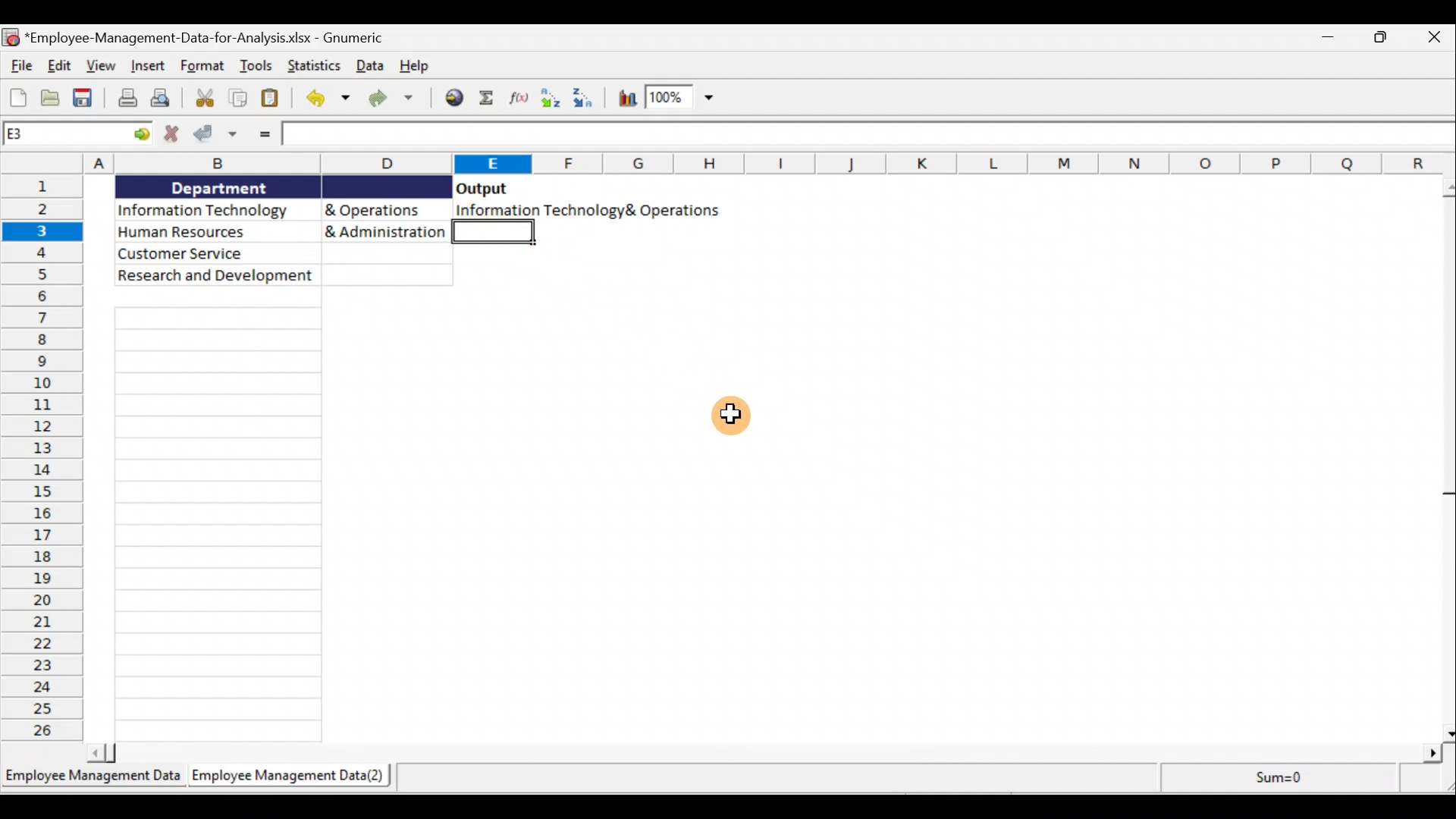 This screenshot has height=819, width=1456. Describe the element at coordinates (101, 67) in the screenshot. I see `View` at that location.